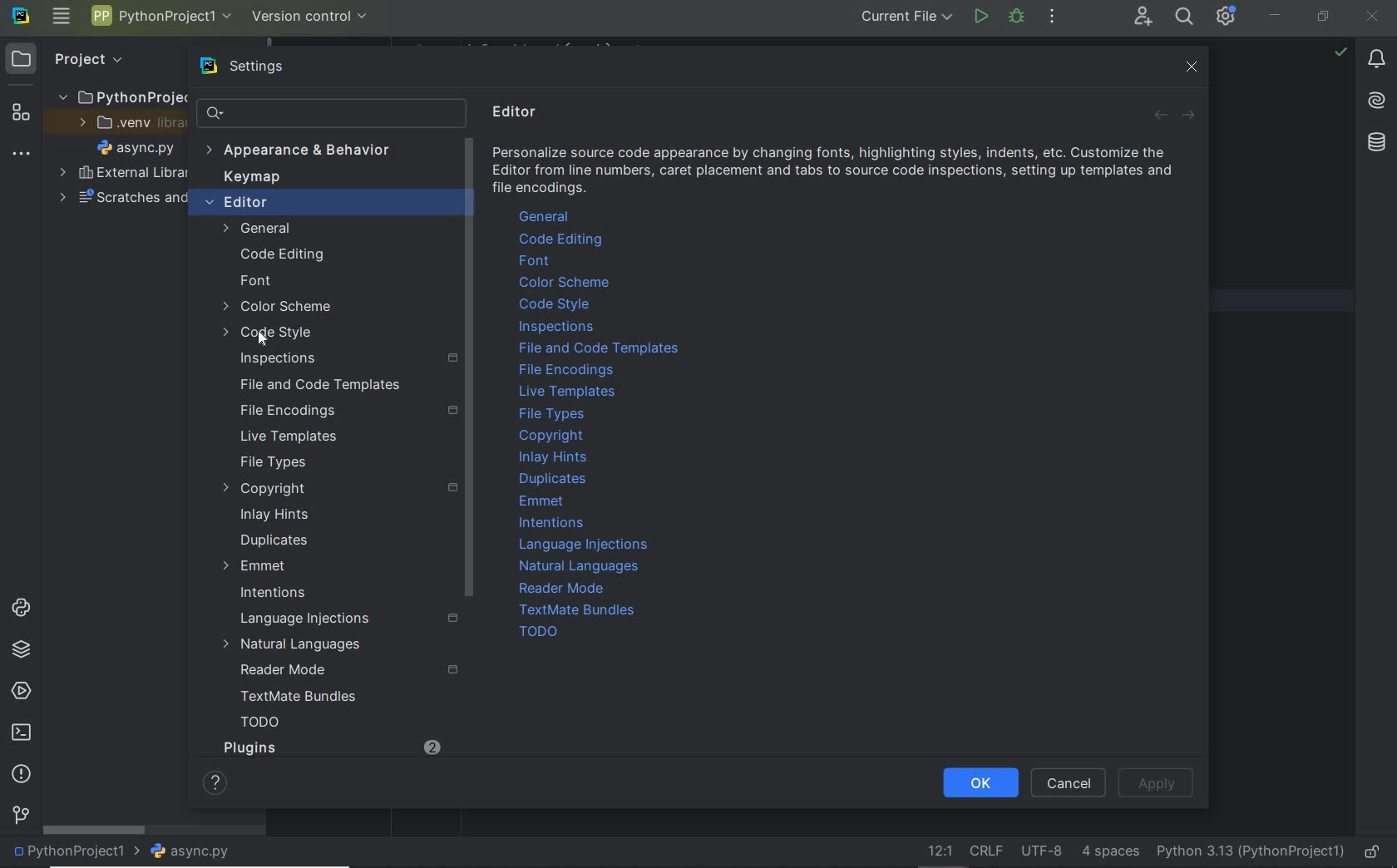 Image resolution: width=1397 pixels, height=868 pixels. I want to click on TextMate Bundles, so click(293, 698).